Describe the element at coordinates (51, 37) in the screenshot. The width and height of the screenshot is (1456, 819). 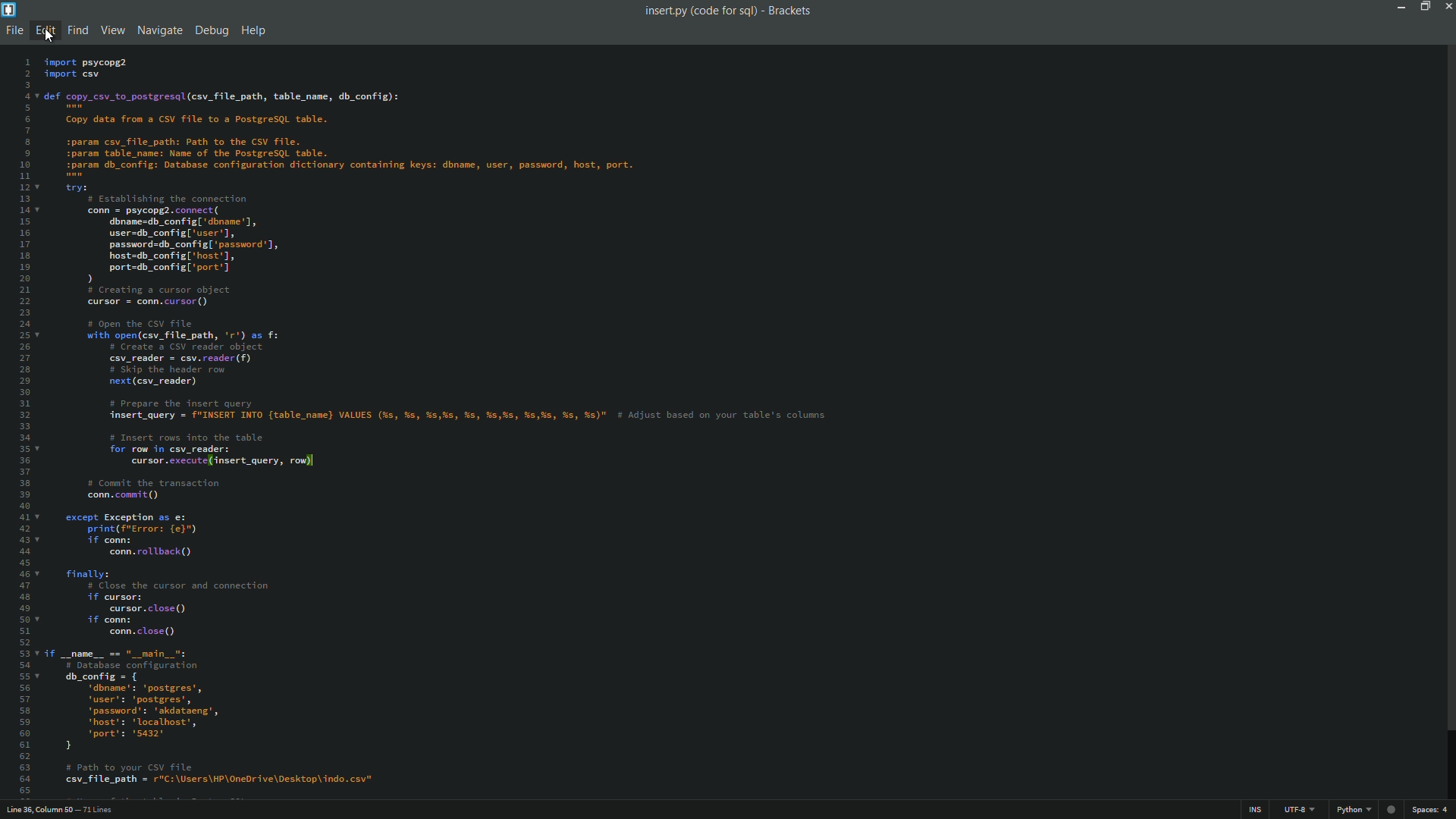
I see `cursor` at that location.